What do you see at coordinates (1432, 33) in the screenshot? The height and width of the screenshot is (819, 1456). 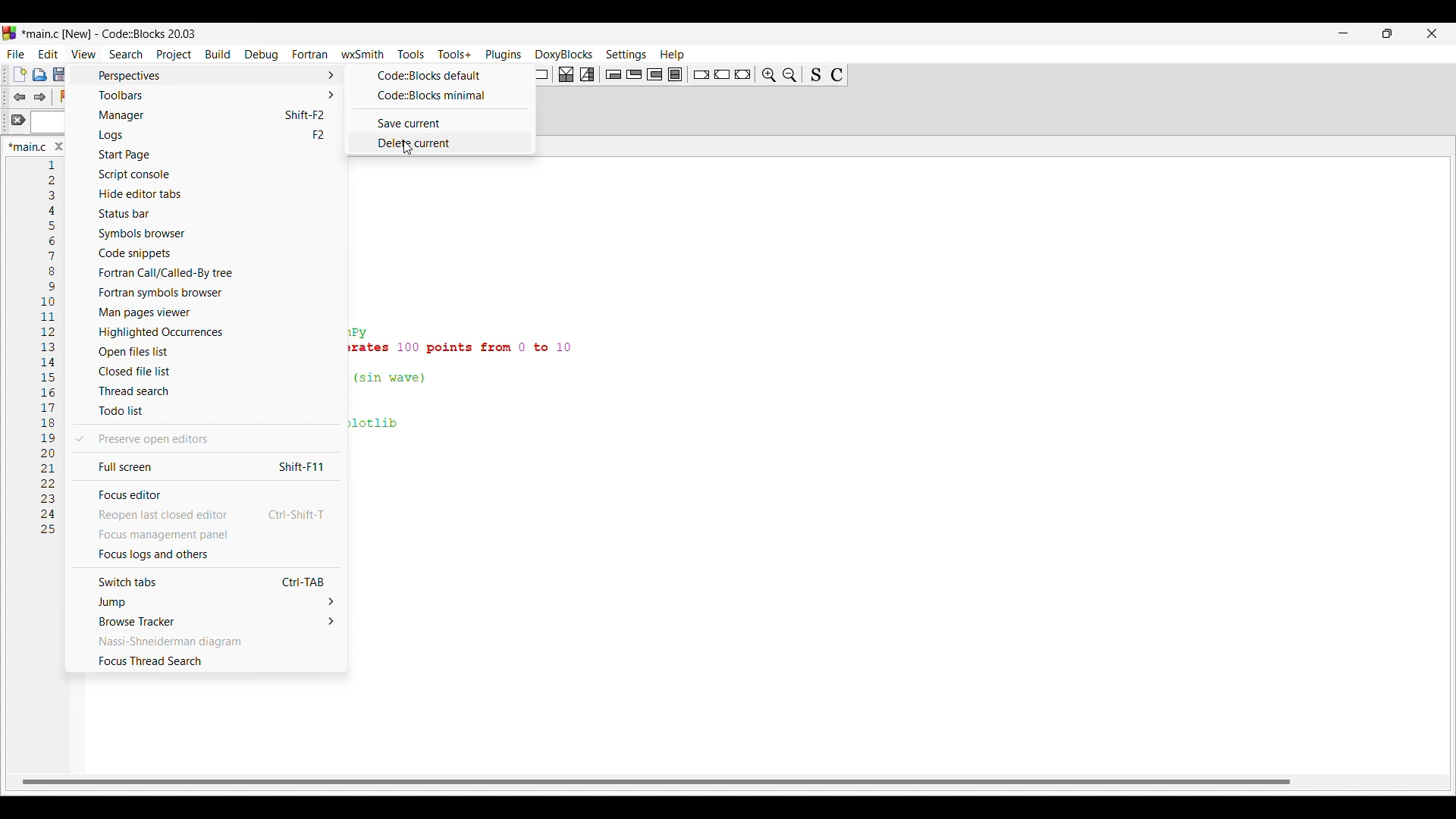 I see `Close interface` at bounding box center [1432, 33].